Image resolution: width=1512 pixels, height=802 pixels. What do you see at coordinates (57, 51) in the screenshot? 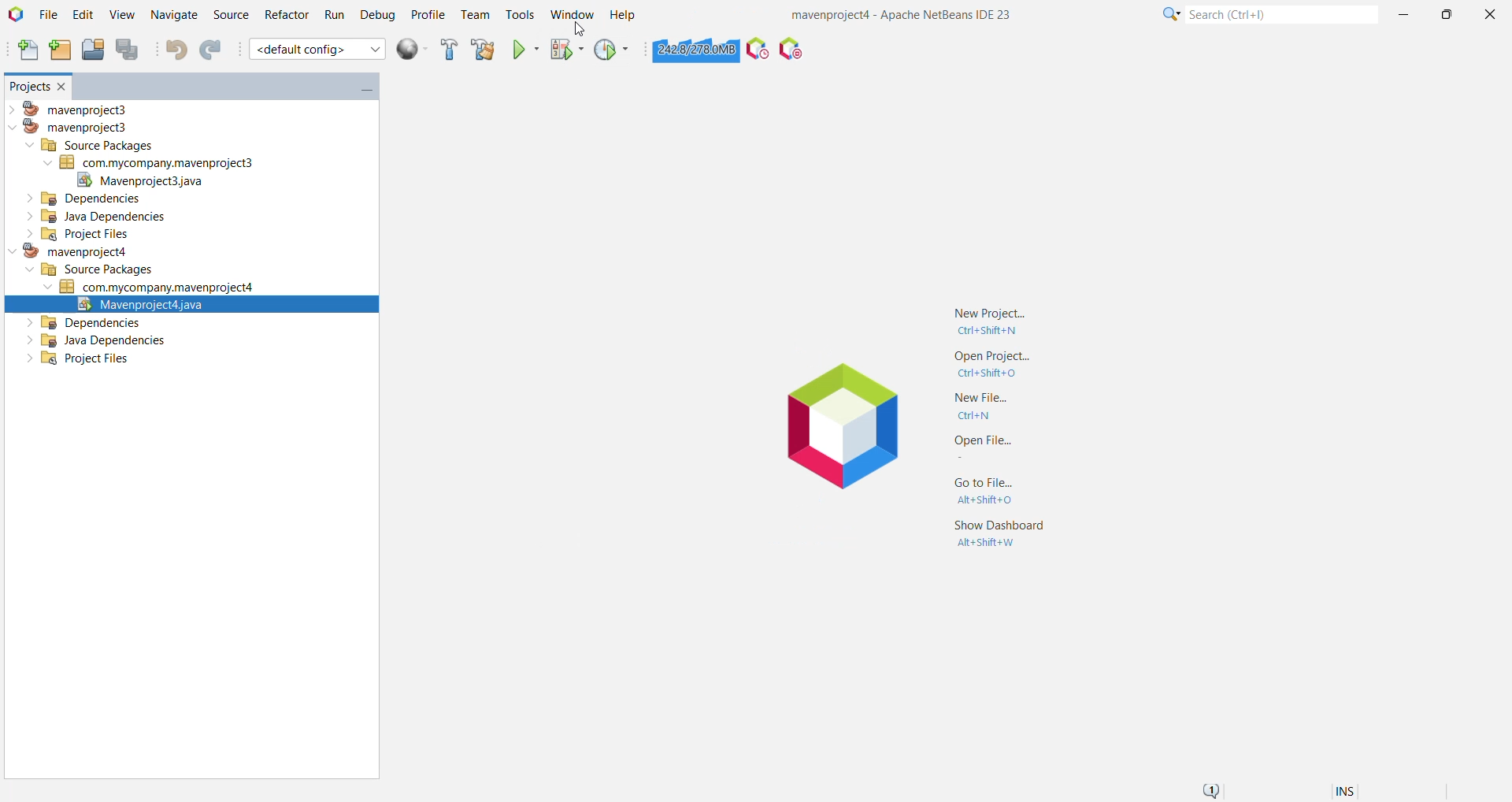
I see `New Project` at bounding box center [57, 51].